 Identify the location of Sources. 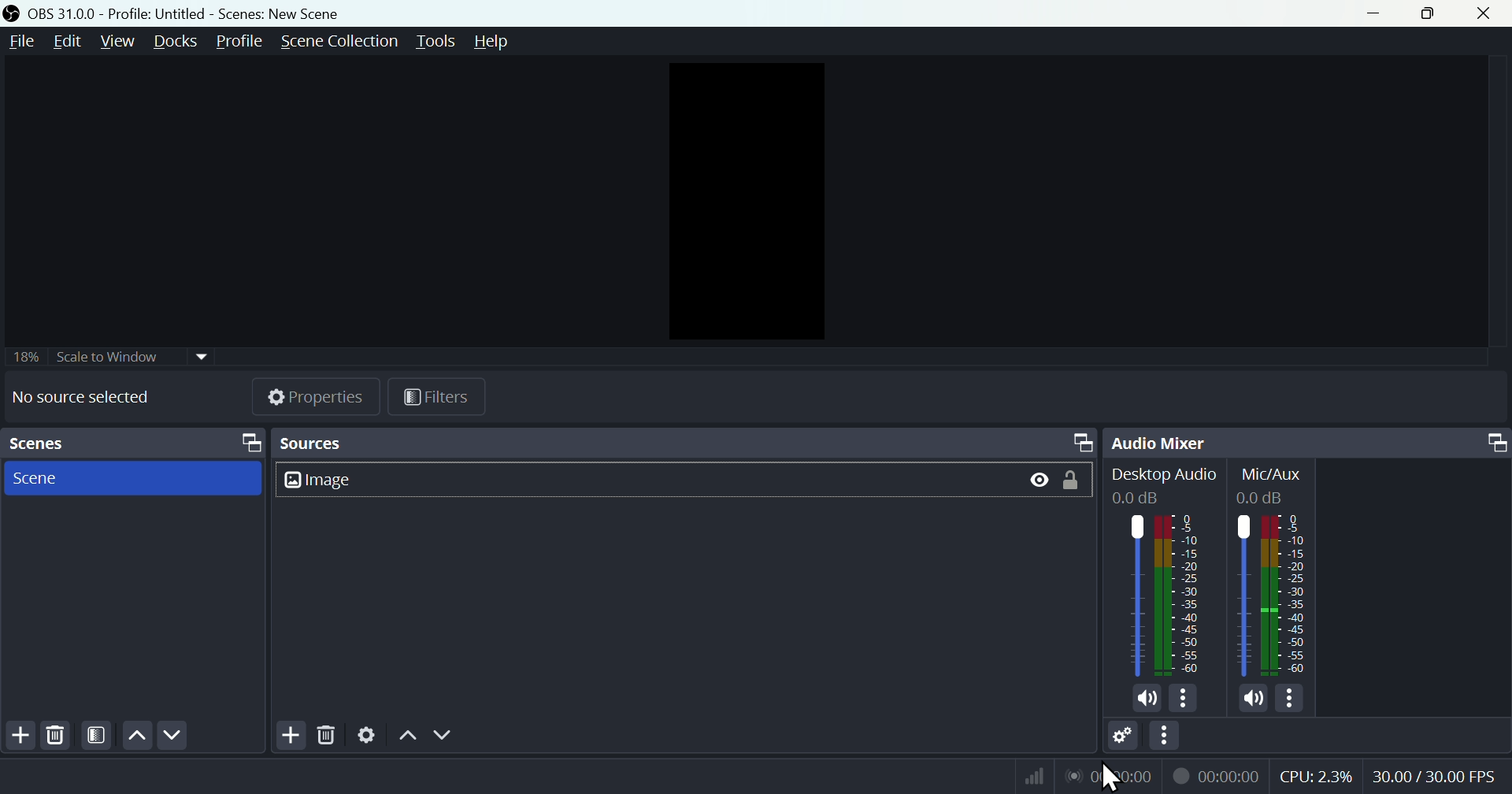
(684, 443).